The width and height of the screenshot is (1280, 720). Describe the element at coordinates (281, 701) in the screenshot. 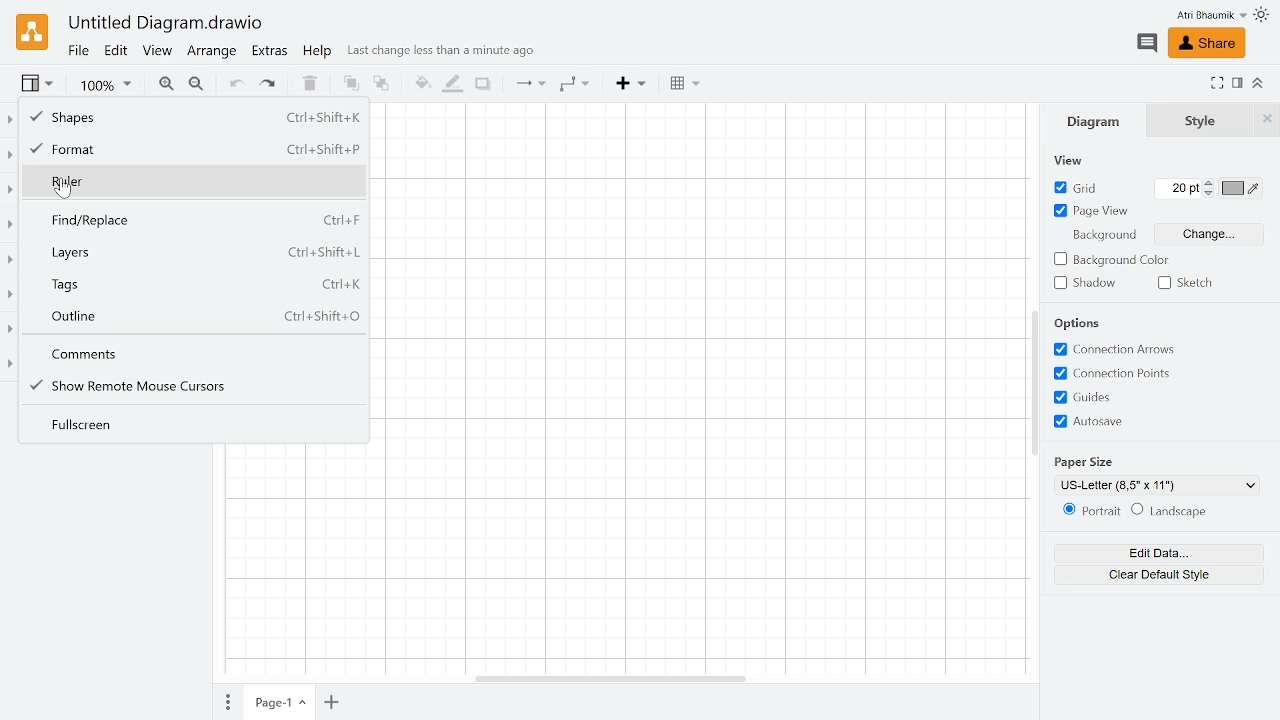

I see `Current page` at that location.